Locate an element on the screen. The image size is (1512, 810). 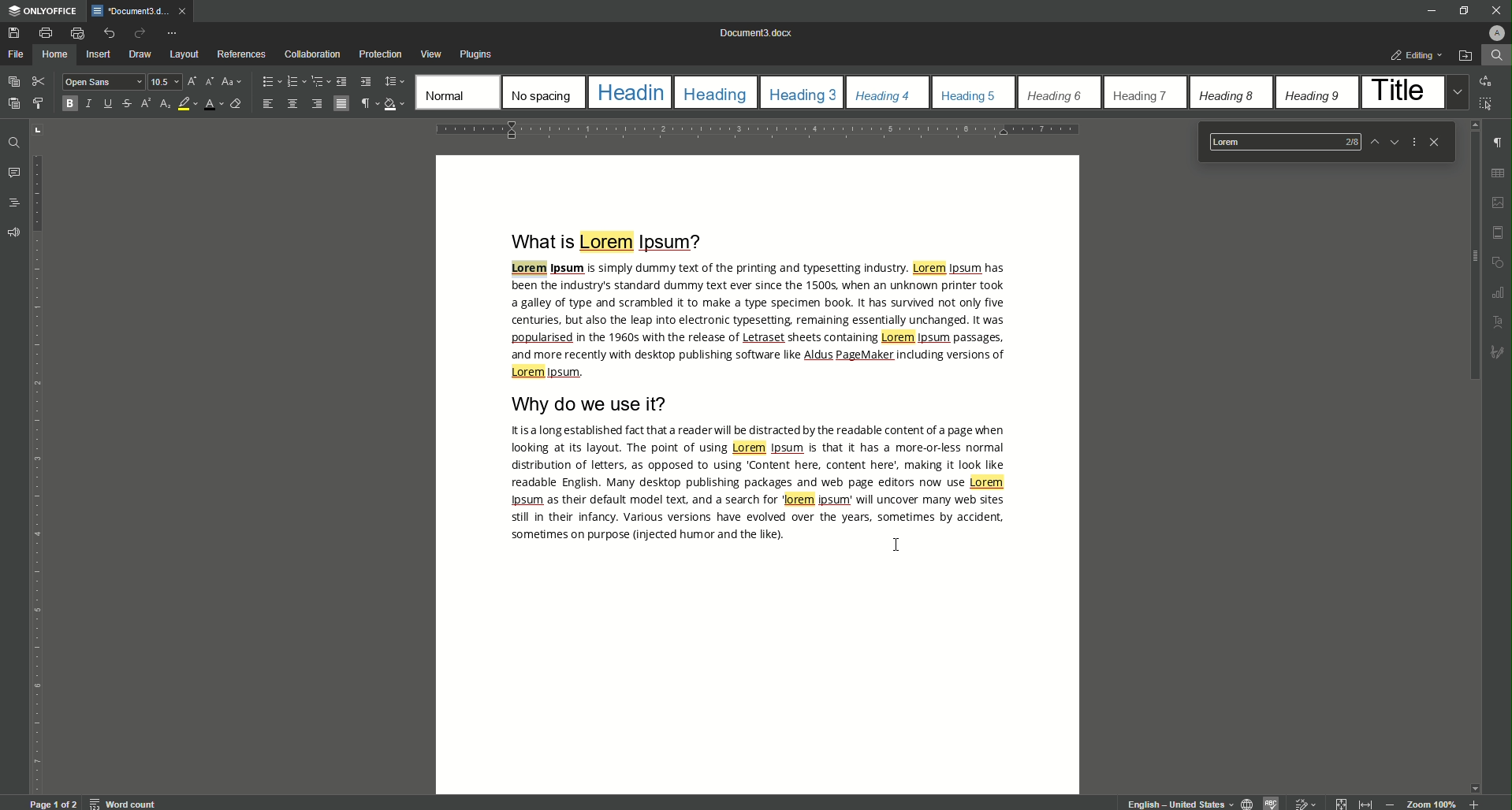
Profile is located at coordinates (1495, 33).